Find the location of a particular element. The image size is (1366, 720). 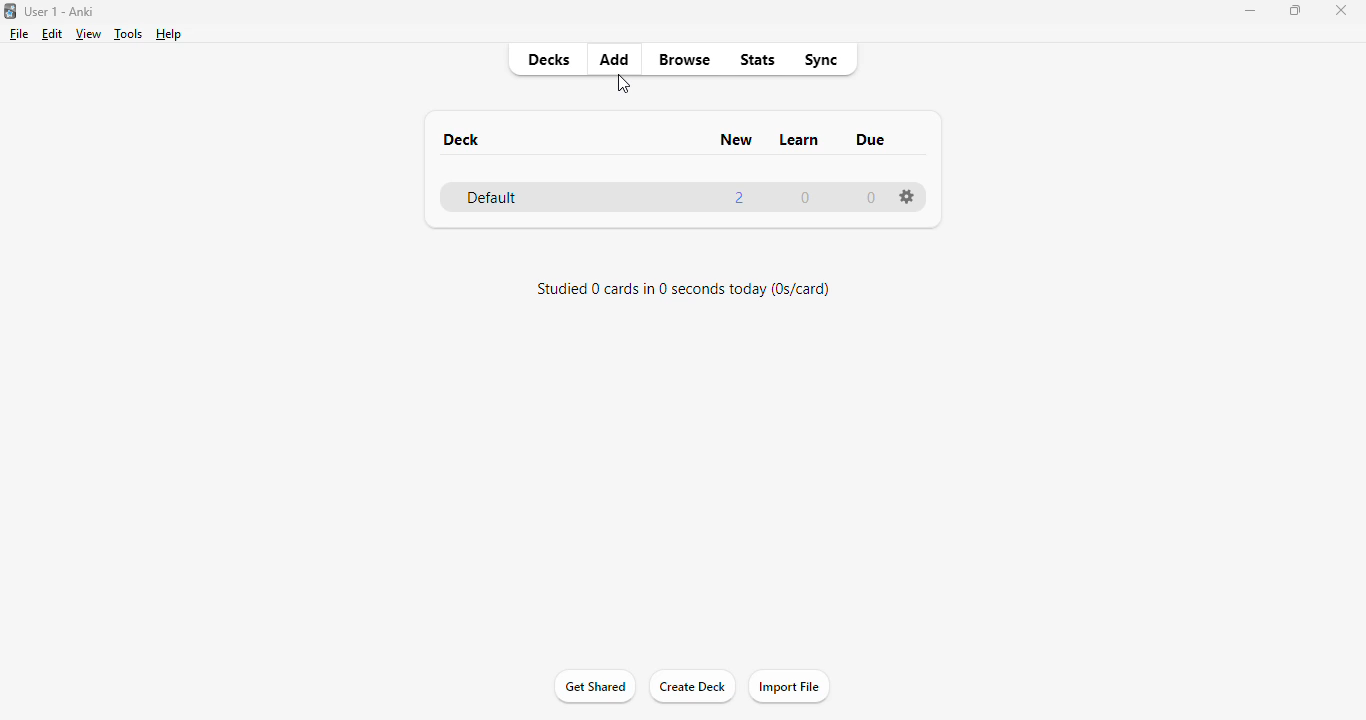

create deck is located at coordinates (691, 687).